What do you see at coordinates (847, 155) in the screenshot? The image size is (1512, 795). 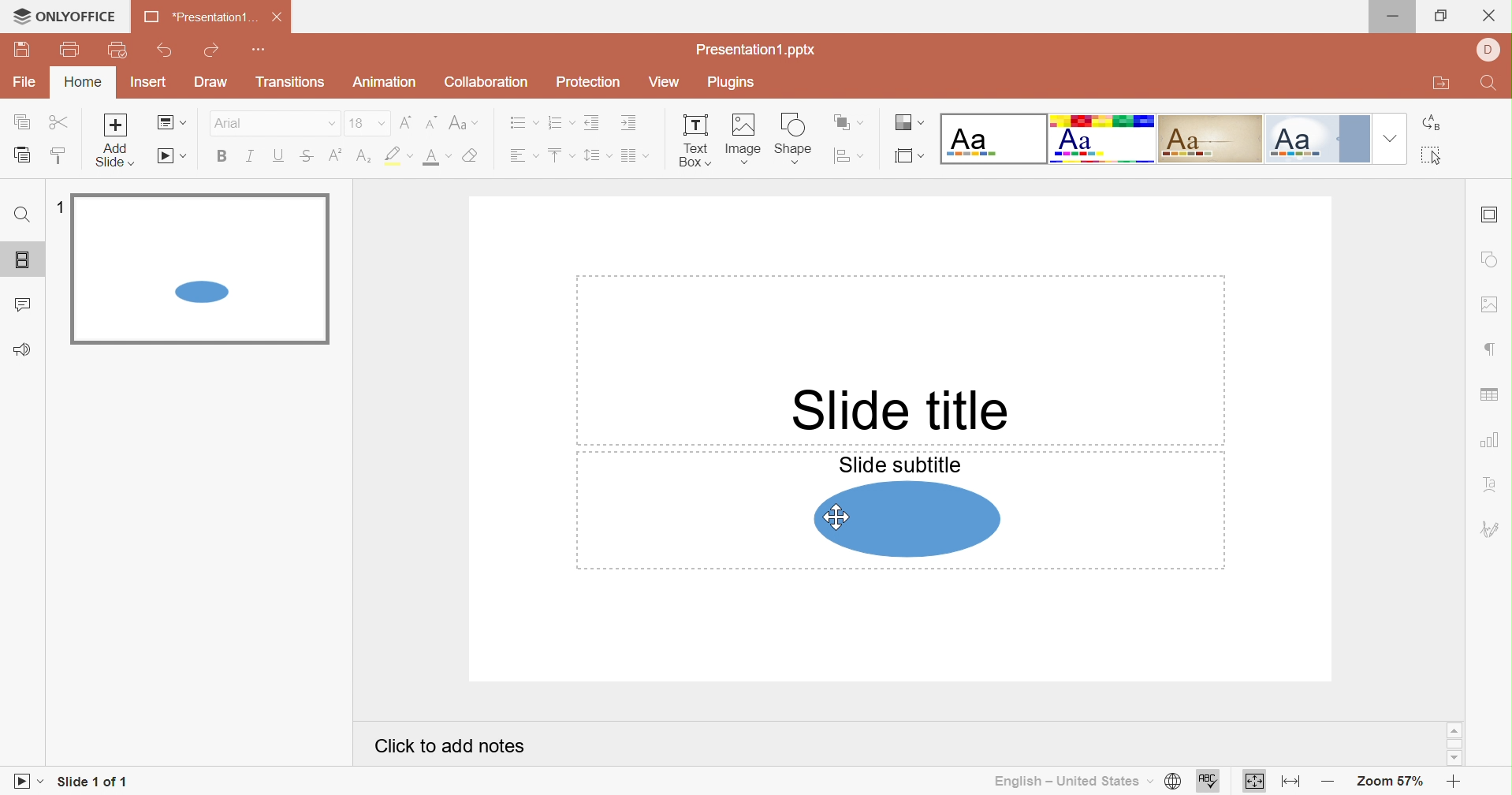 I see `Align shape` at bounding box center [847, 155].